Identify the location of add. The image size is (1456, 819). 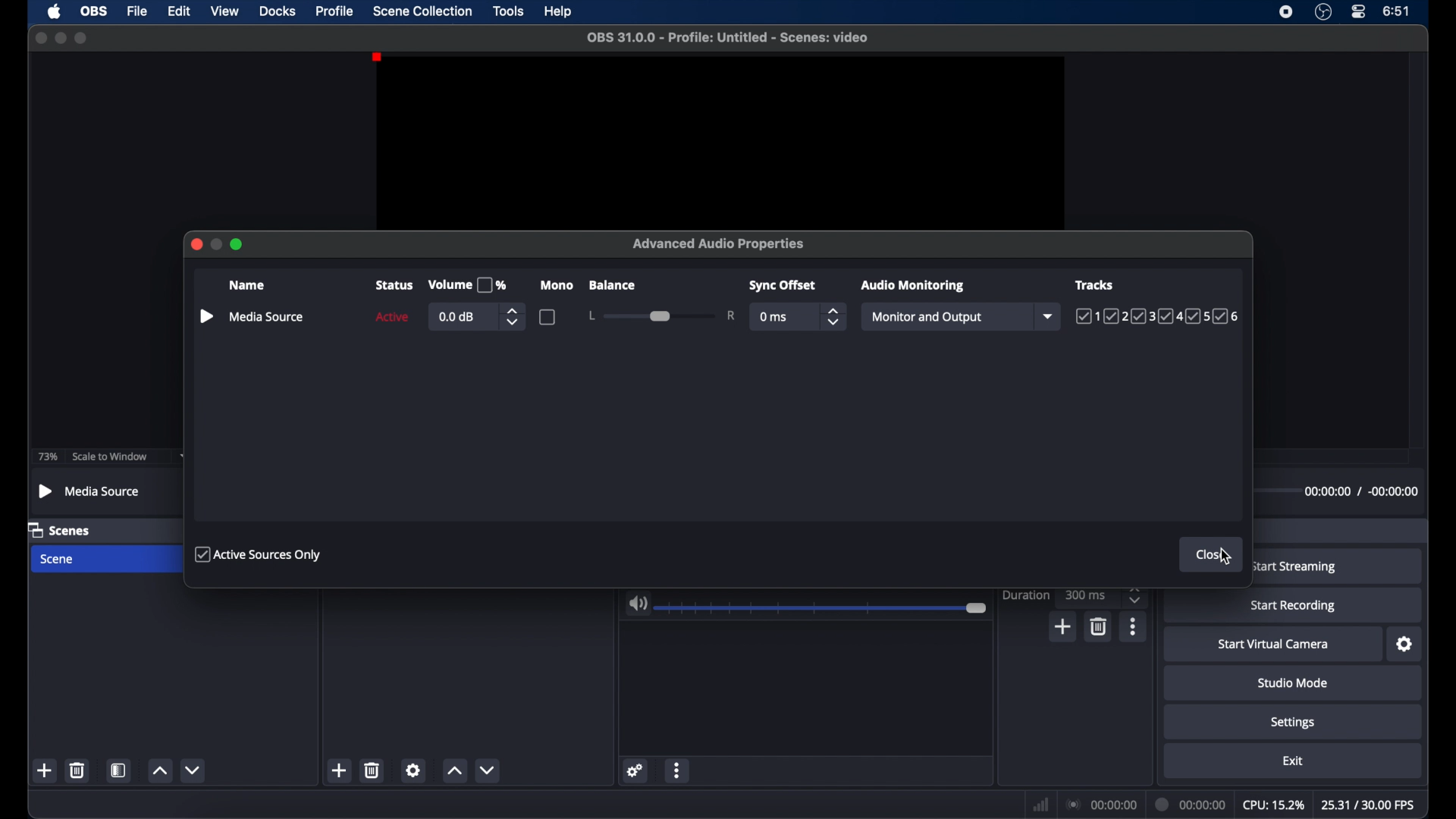
(1063, 626).